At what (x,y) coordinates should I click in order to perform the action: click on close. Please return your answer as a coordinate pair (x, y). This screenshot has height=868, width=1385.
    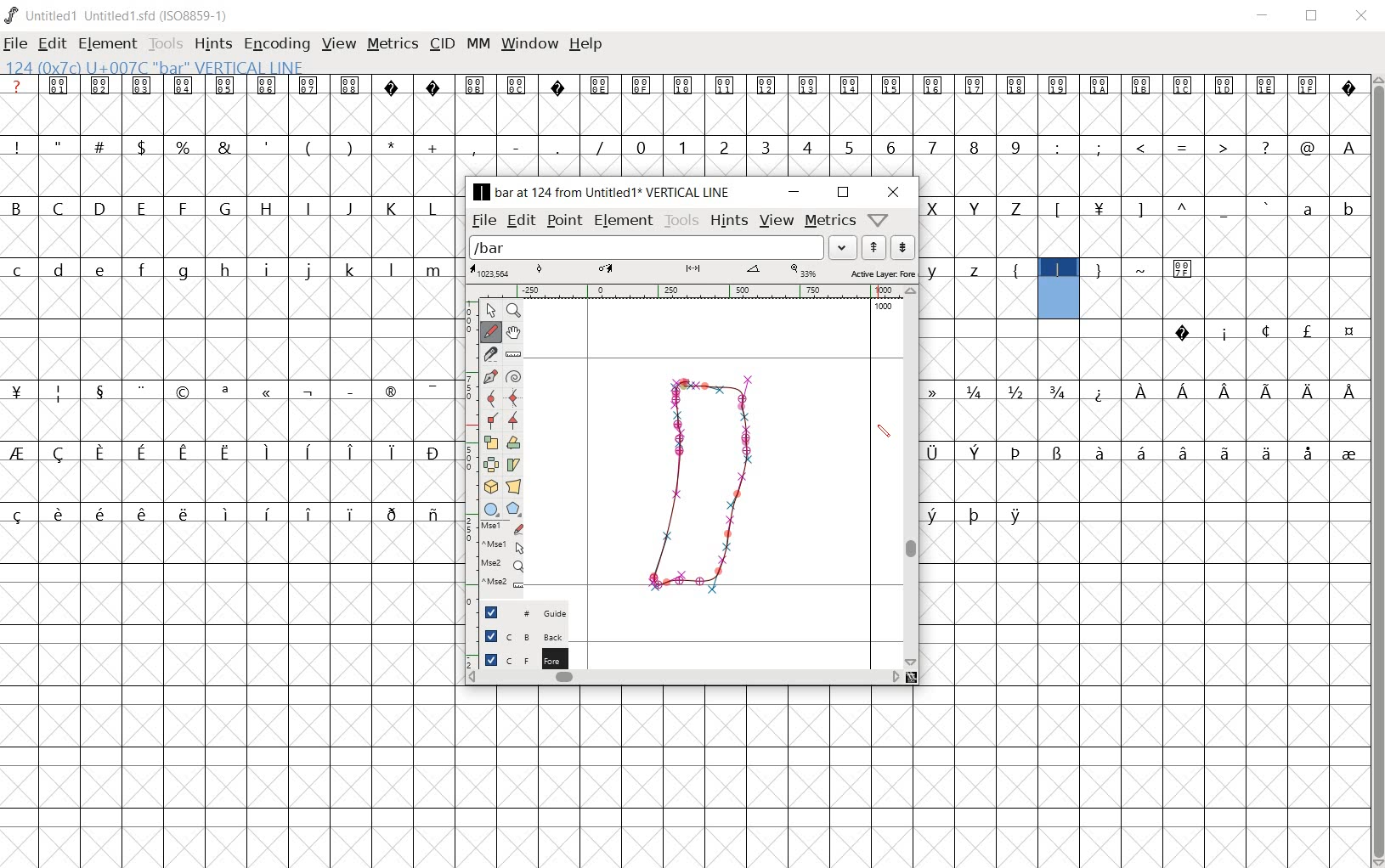
    Looking at the image, I should click on (1363, 17).